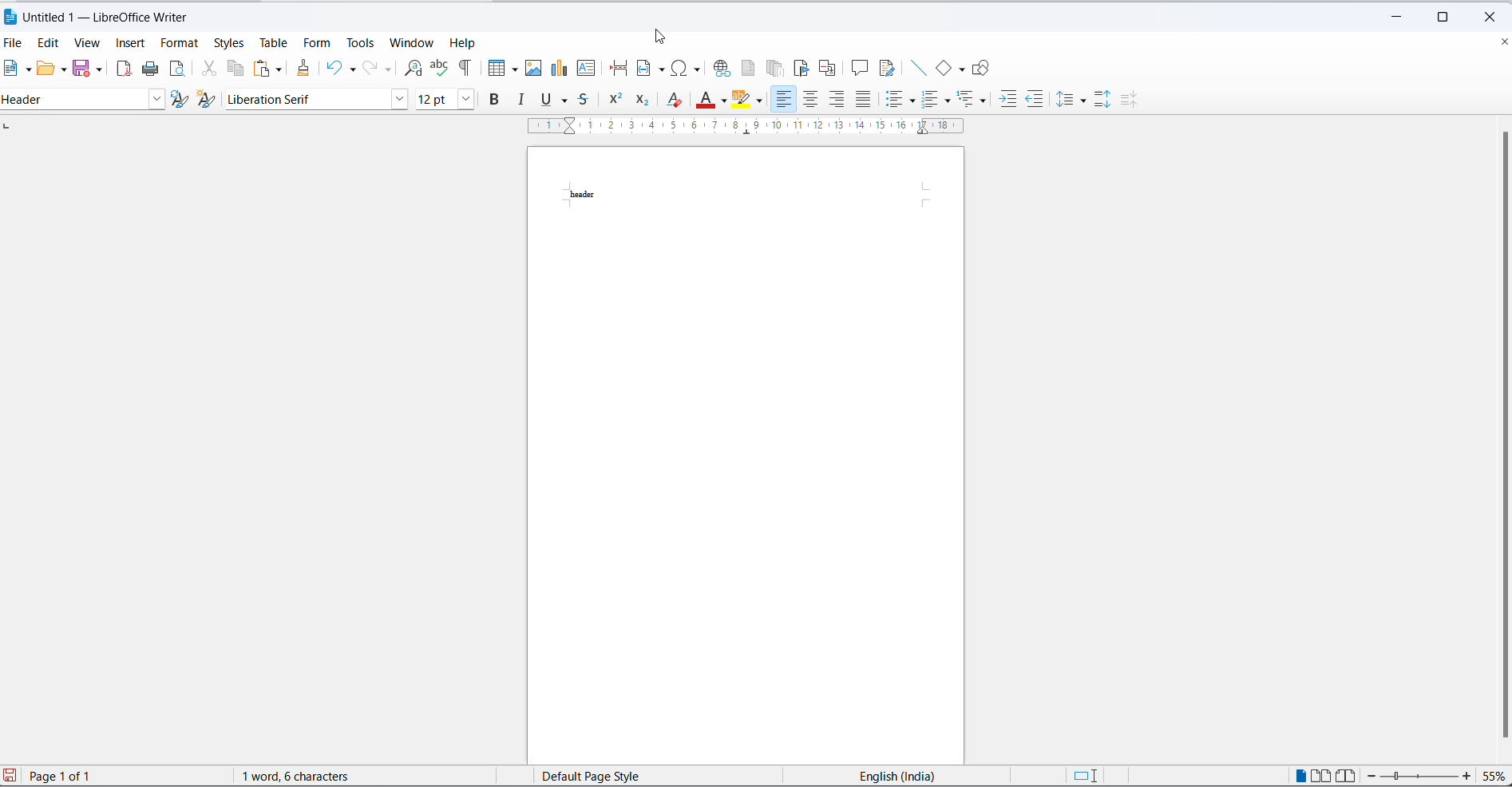  Describe the element at coordinates (121, 17) in the screenshot. I see `Untitled 1 - LibreOffice Writer` at that location.